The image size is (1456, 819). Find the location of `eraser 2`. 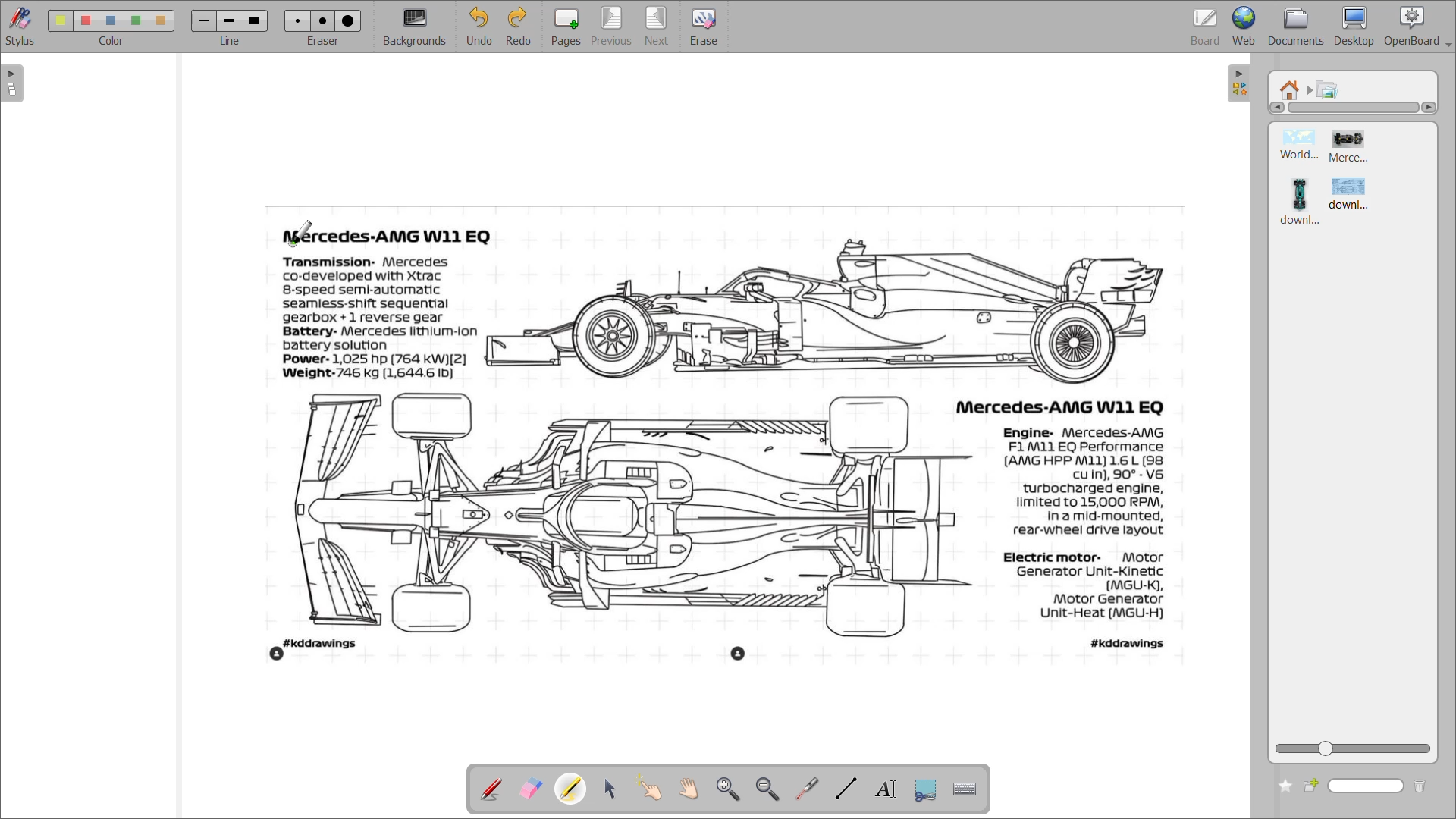

eraser 2 is located at coordinates (324, 20).